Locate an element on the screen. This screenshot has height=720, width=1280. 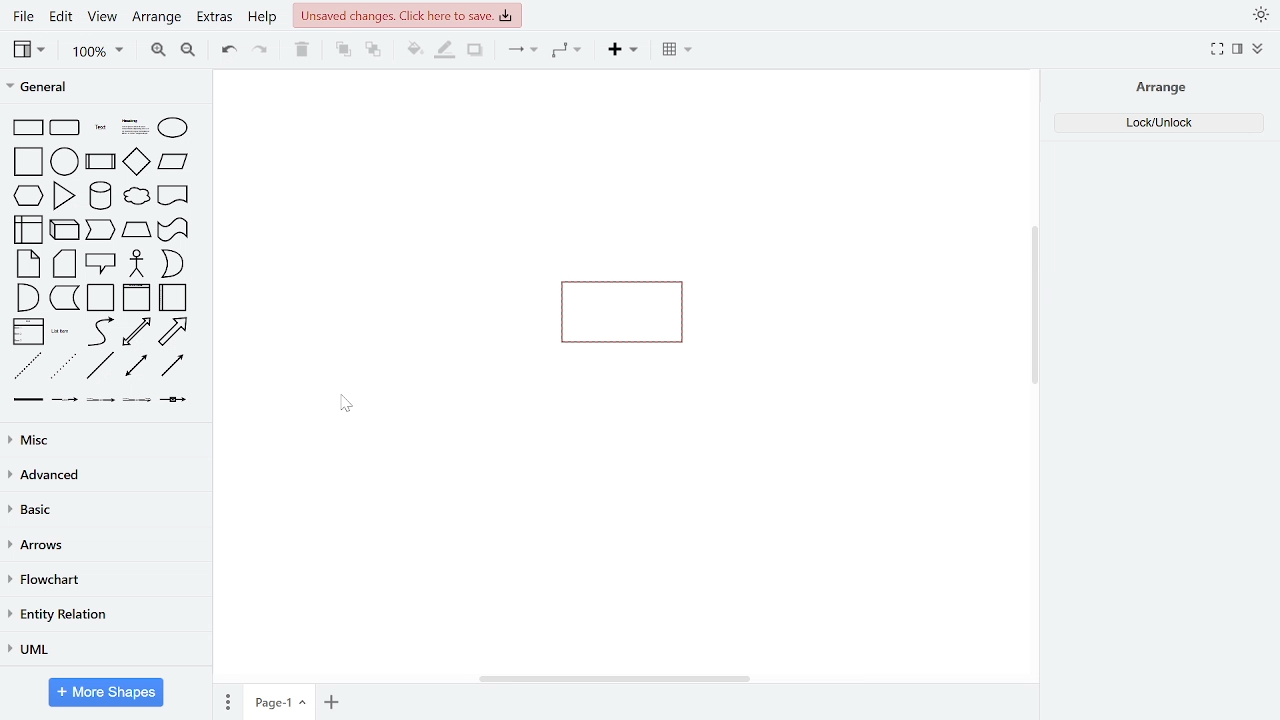
and is located at coordinates (27, 298).